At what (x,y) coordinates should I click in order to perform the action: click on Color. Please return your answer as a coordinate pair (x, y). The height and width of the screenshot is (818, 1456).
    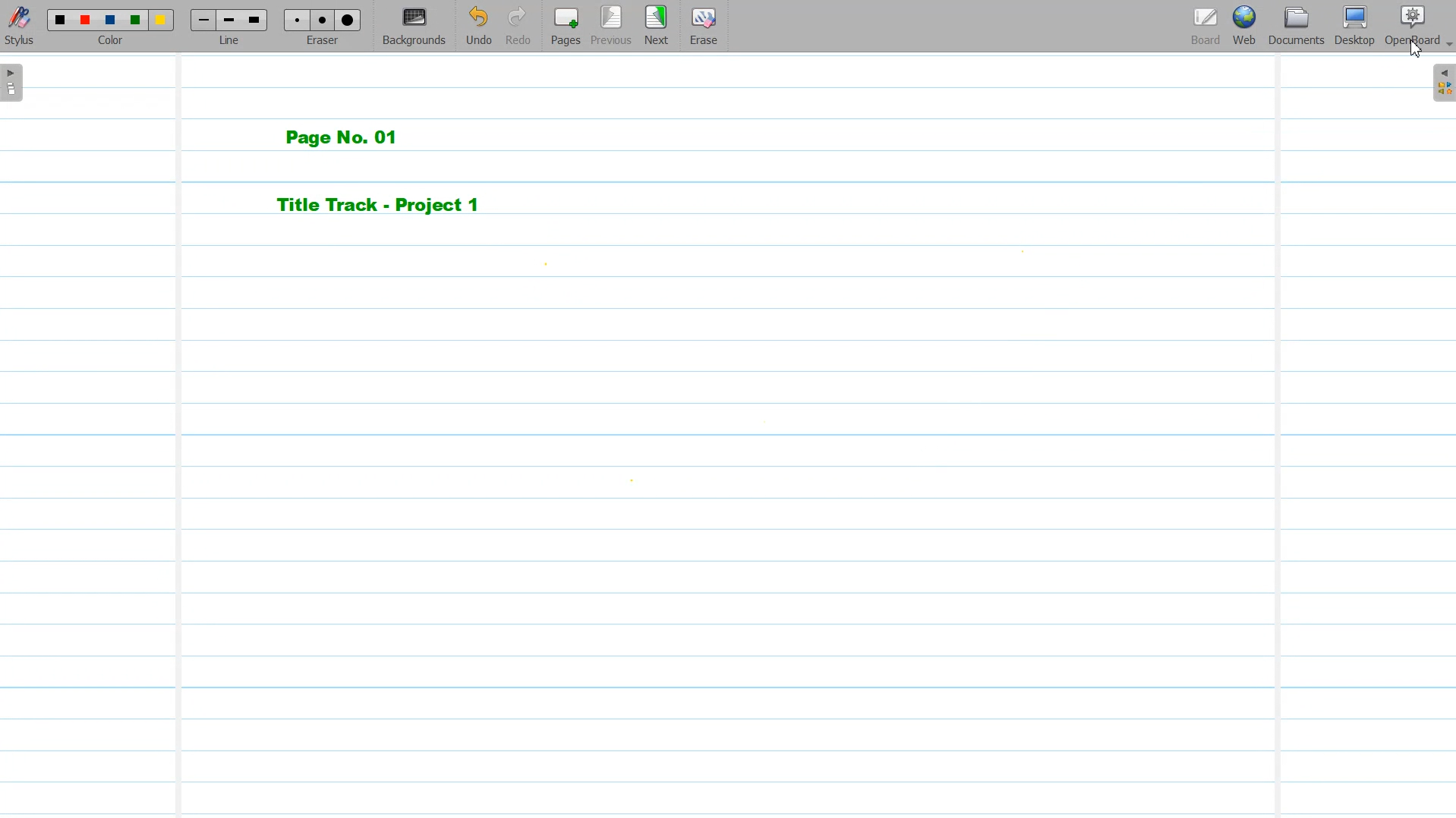
    Looking at the image, I should click on (112, 26).